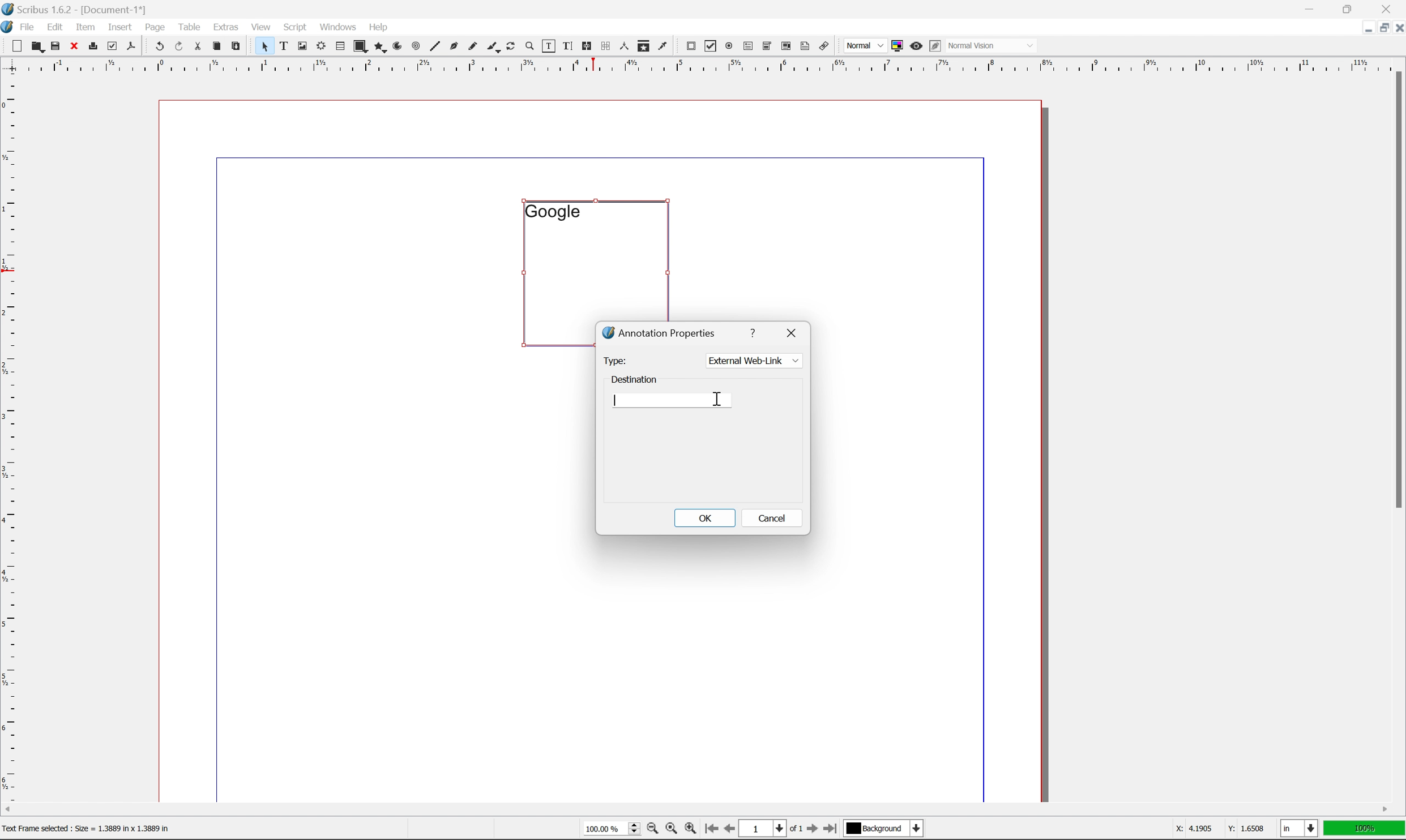  I want to click on calligraphy line, so click(493, 45).